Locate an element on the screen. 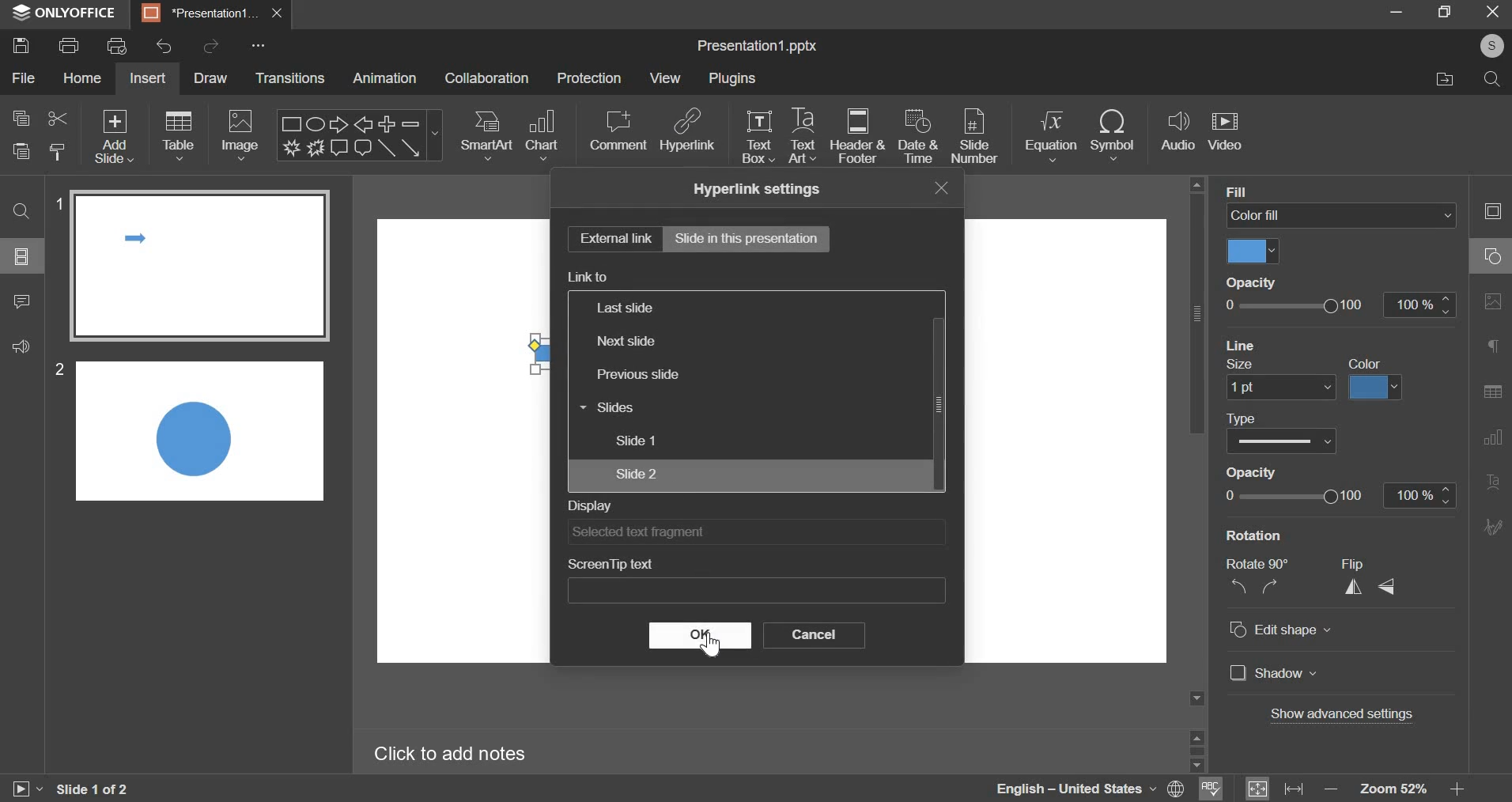 The image size is (1512, 802). scroll down is located at coordinates (1197, 699).